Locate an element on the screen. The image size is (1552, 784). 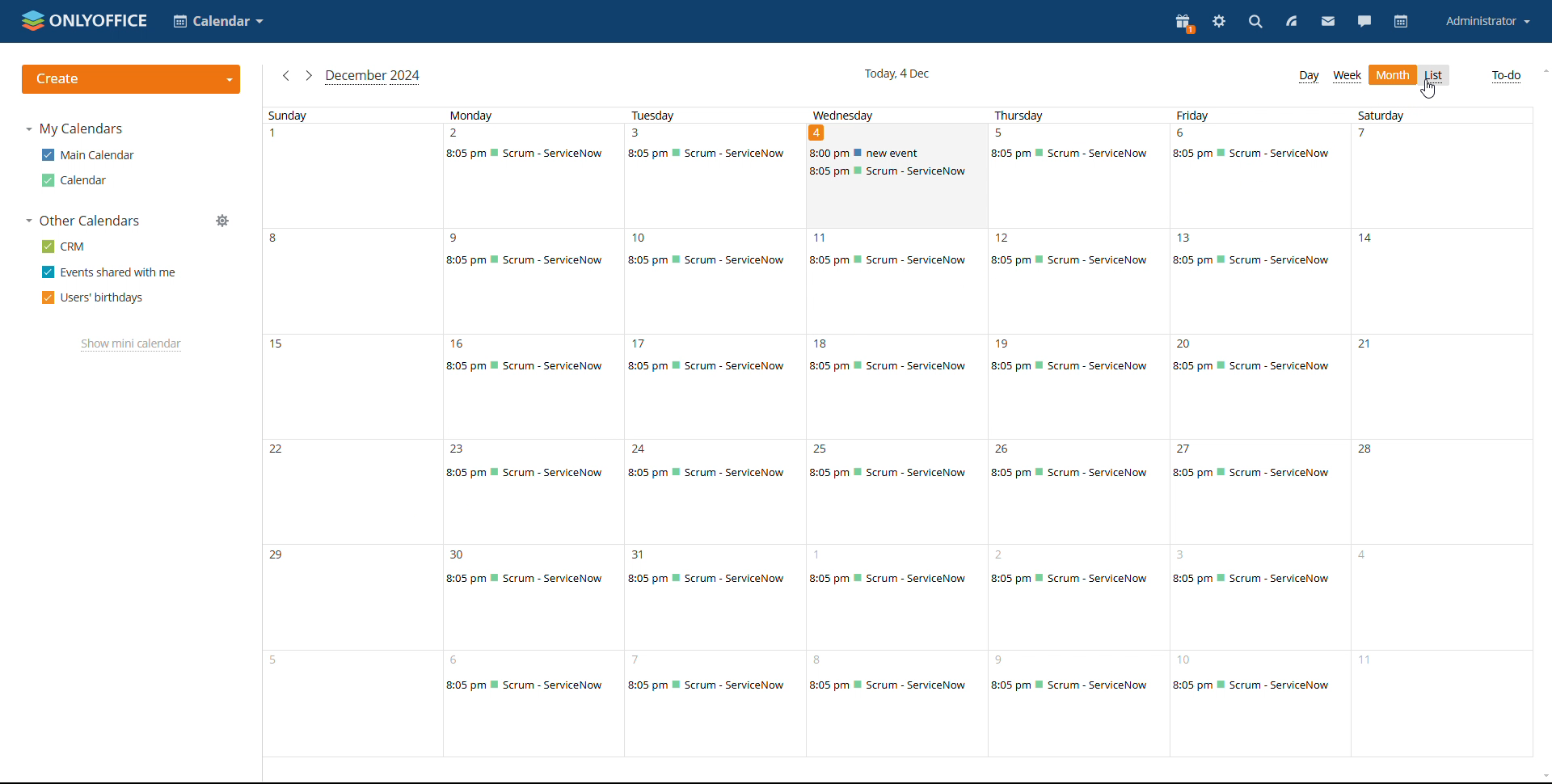
account is located at coordinates (1487, 22).